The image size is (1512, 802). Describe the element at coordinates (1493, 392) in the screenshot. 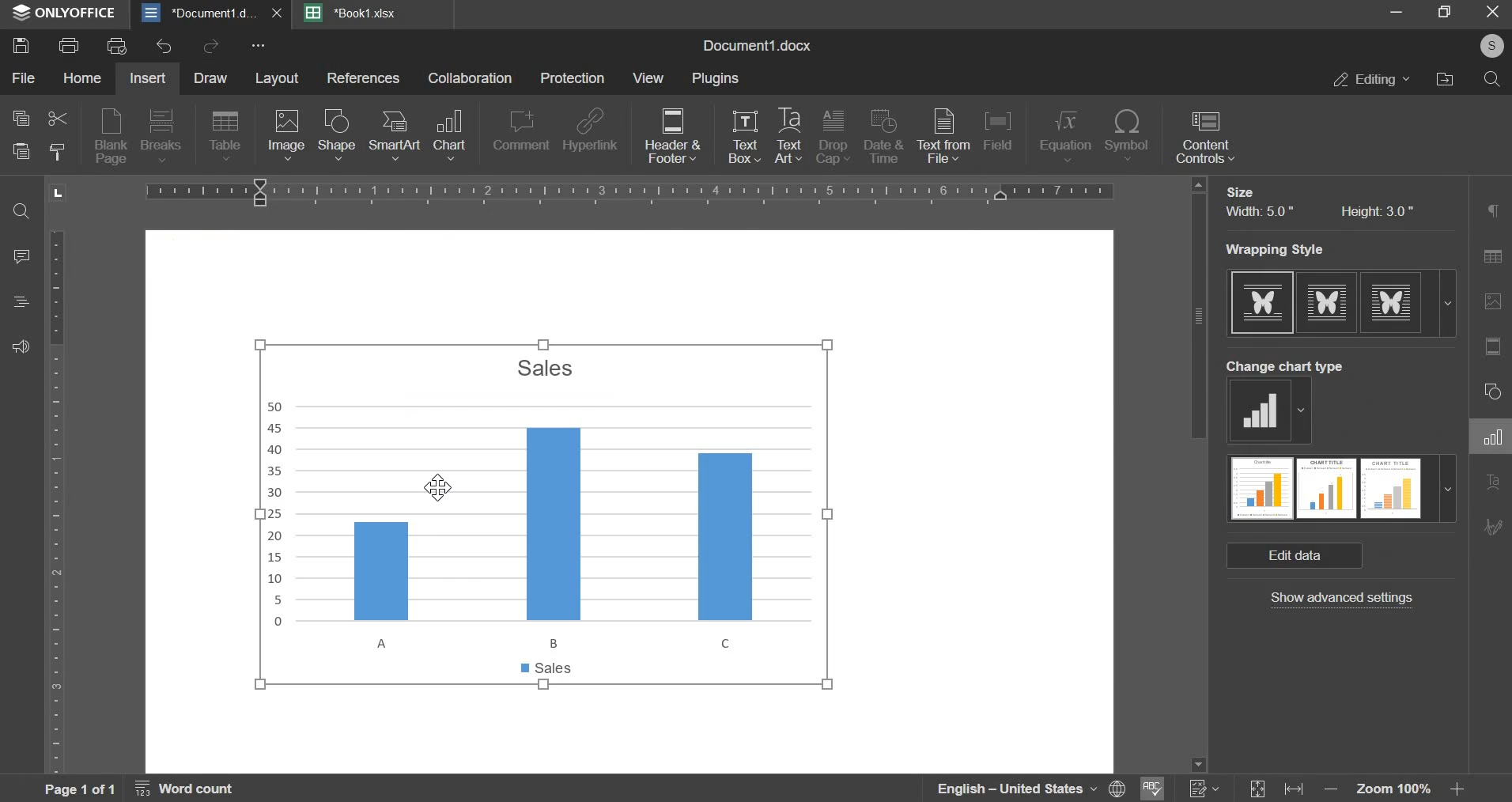

I see `Bar/Column Chart Tool` at that location.